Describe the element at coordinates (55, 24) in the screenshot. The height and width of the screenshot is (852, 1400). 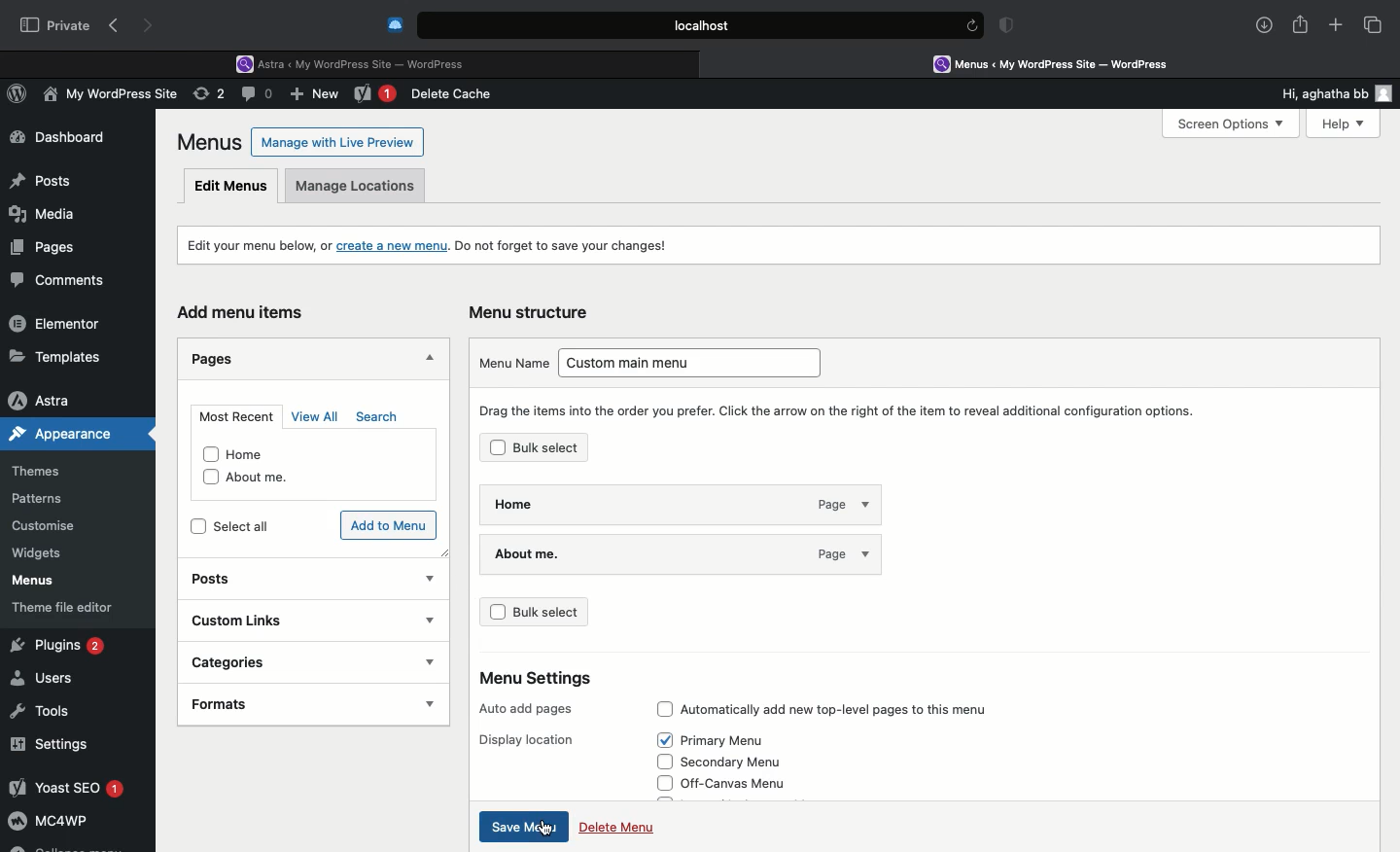
I see `Private` at that location.